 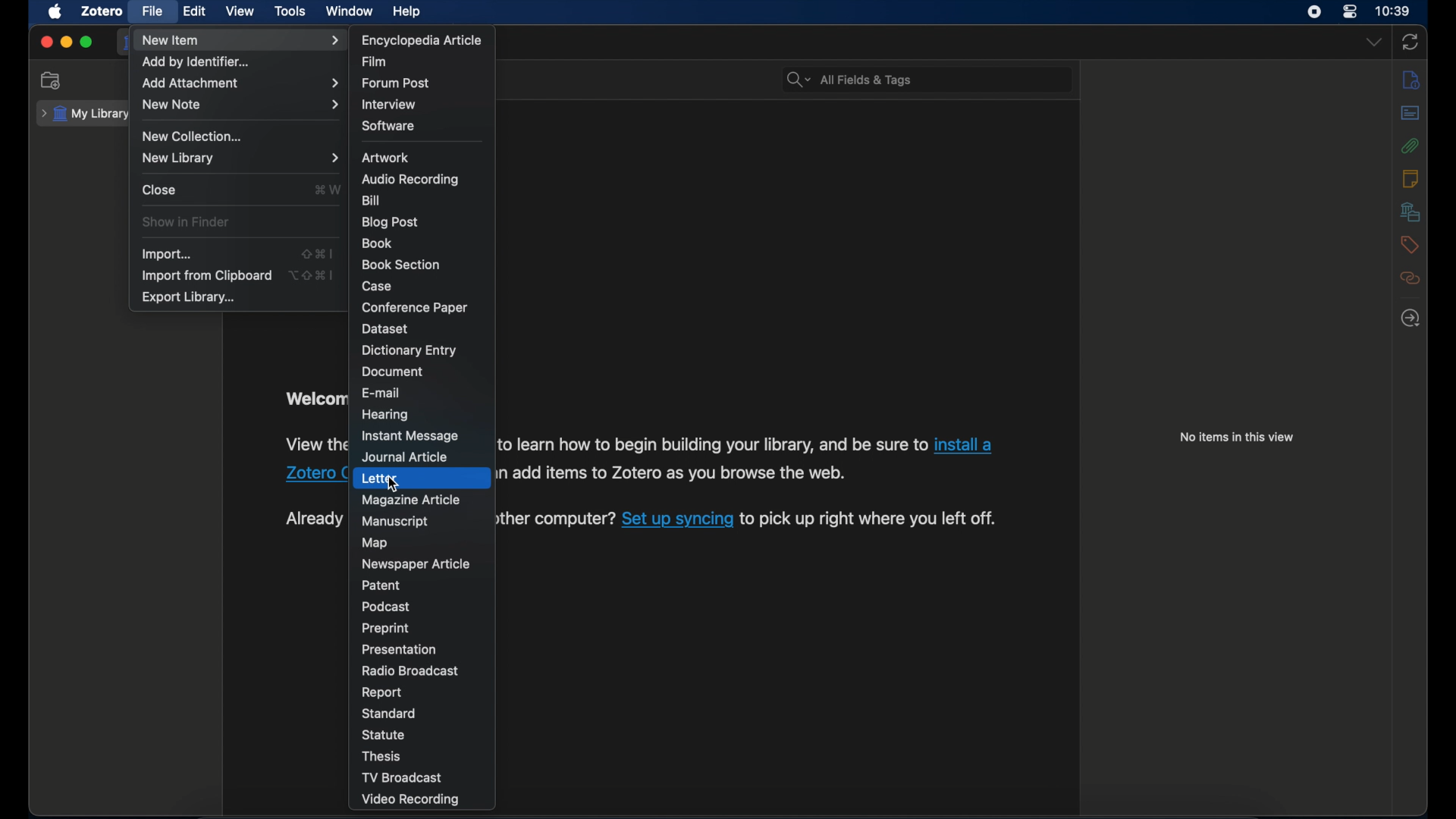 What do you see at coordinates (386, 328) in the screenshot?
I see `dataset` at bounding box center [386, 328].